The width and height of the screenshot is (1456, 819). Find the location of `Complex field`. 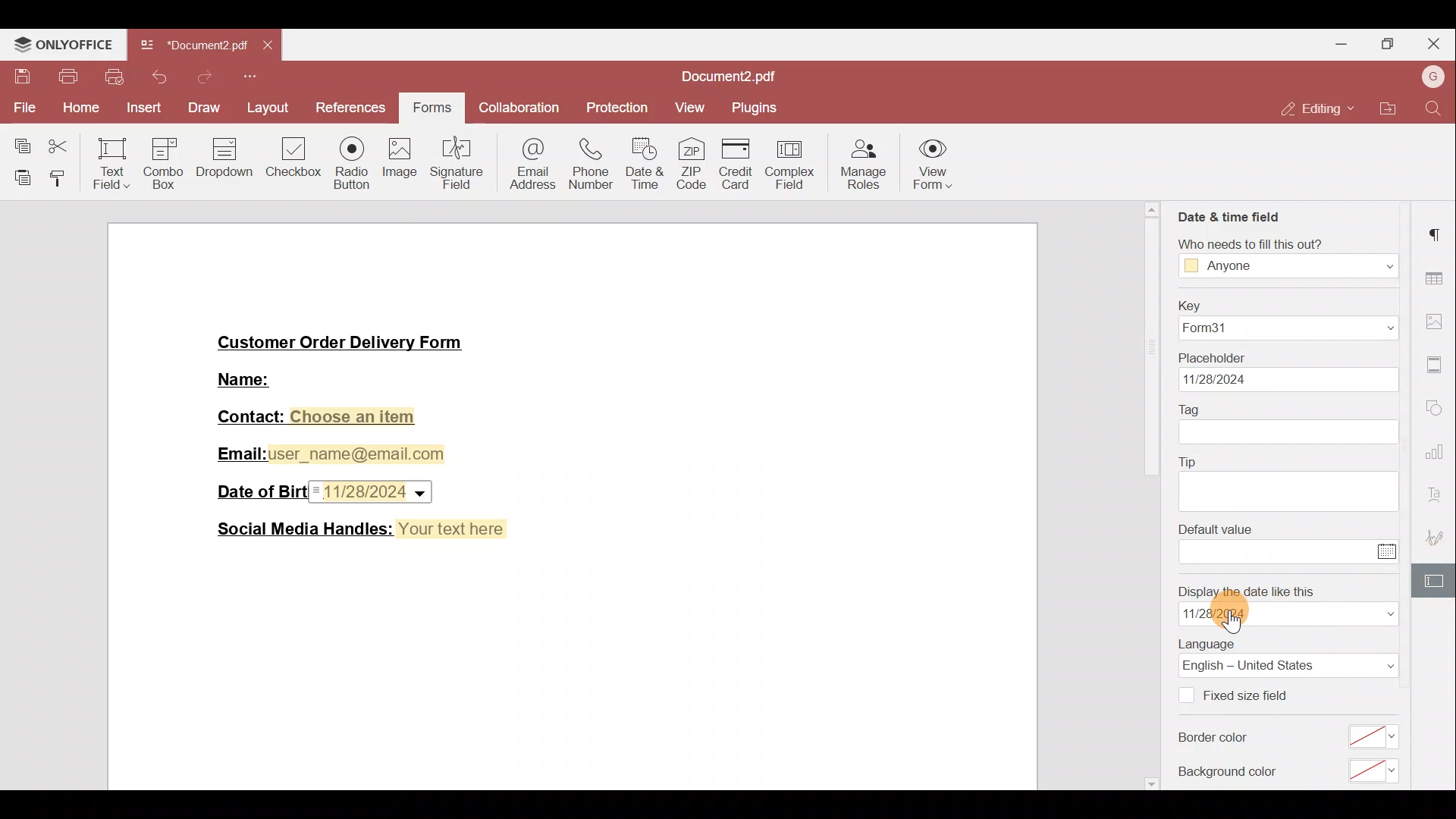

Complex field is located at coordinates (791, 165).